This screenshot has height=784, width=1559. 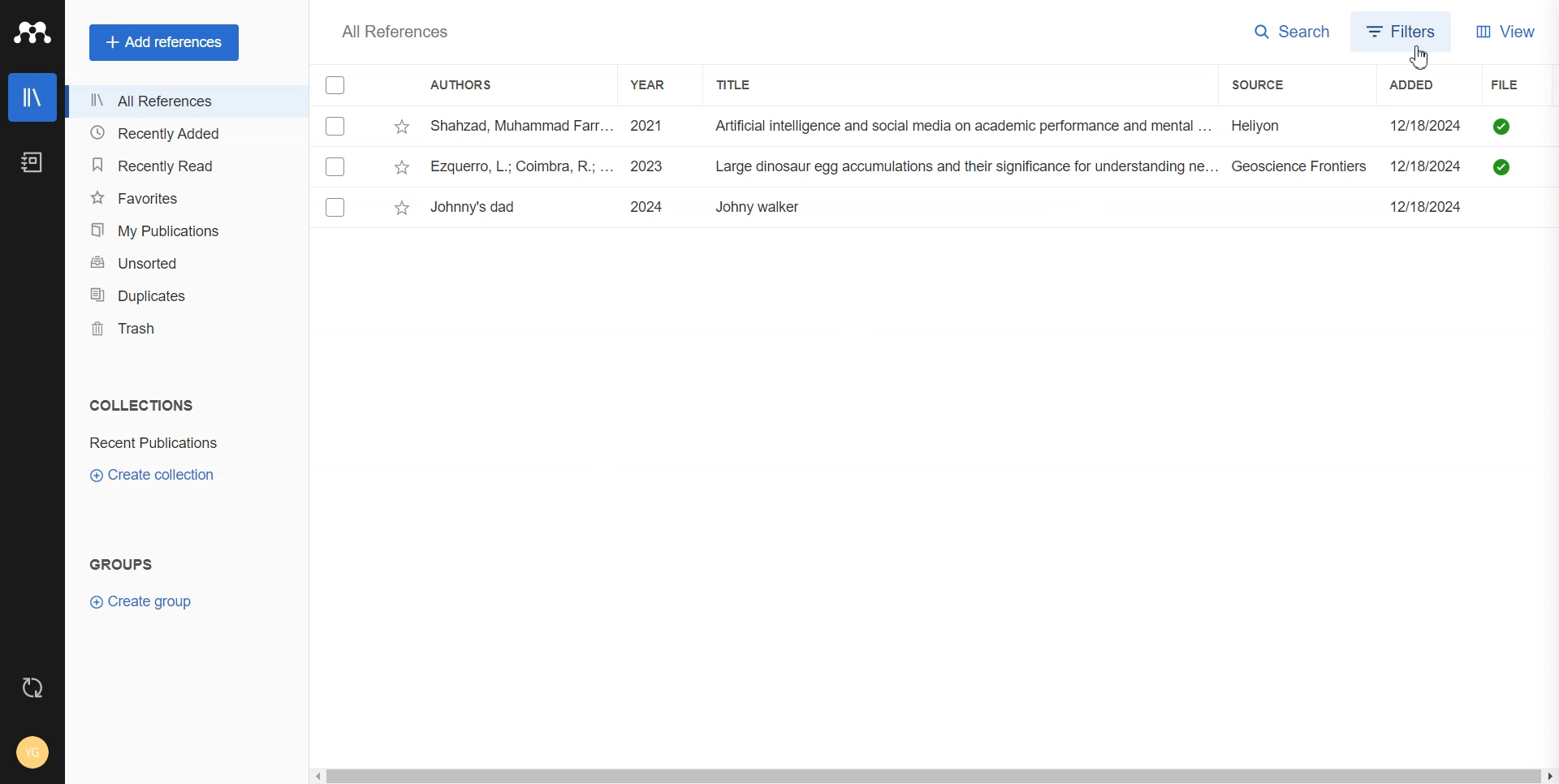 I want to click on Title, so click(x=748, y=84).